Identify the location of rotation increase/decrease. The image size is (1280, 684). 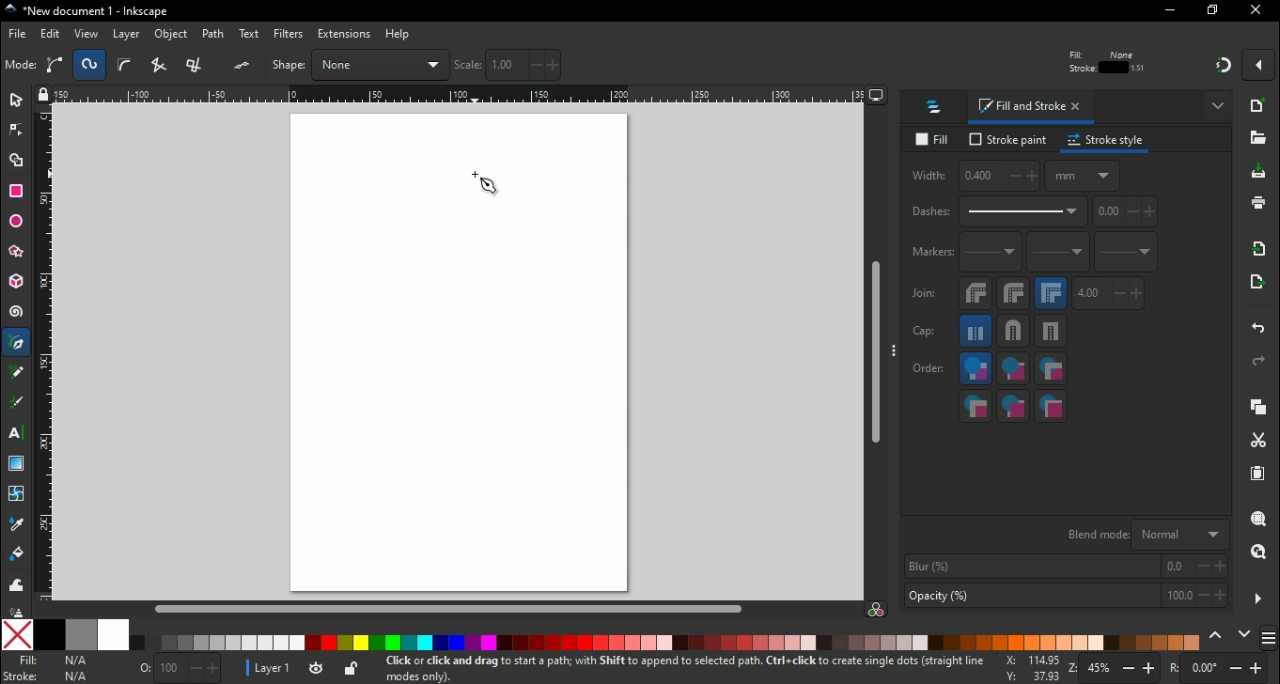
(1222, 668).